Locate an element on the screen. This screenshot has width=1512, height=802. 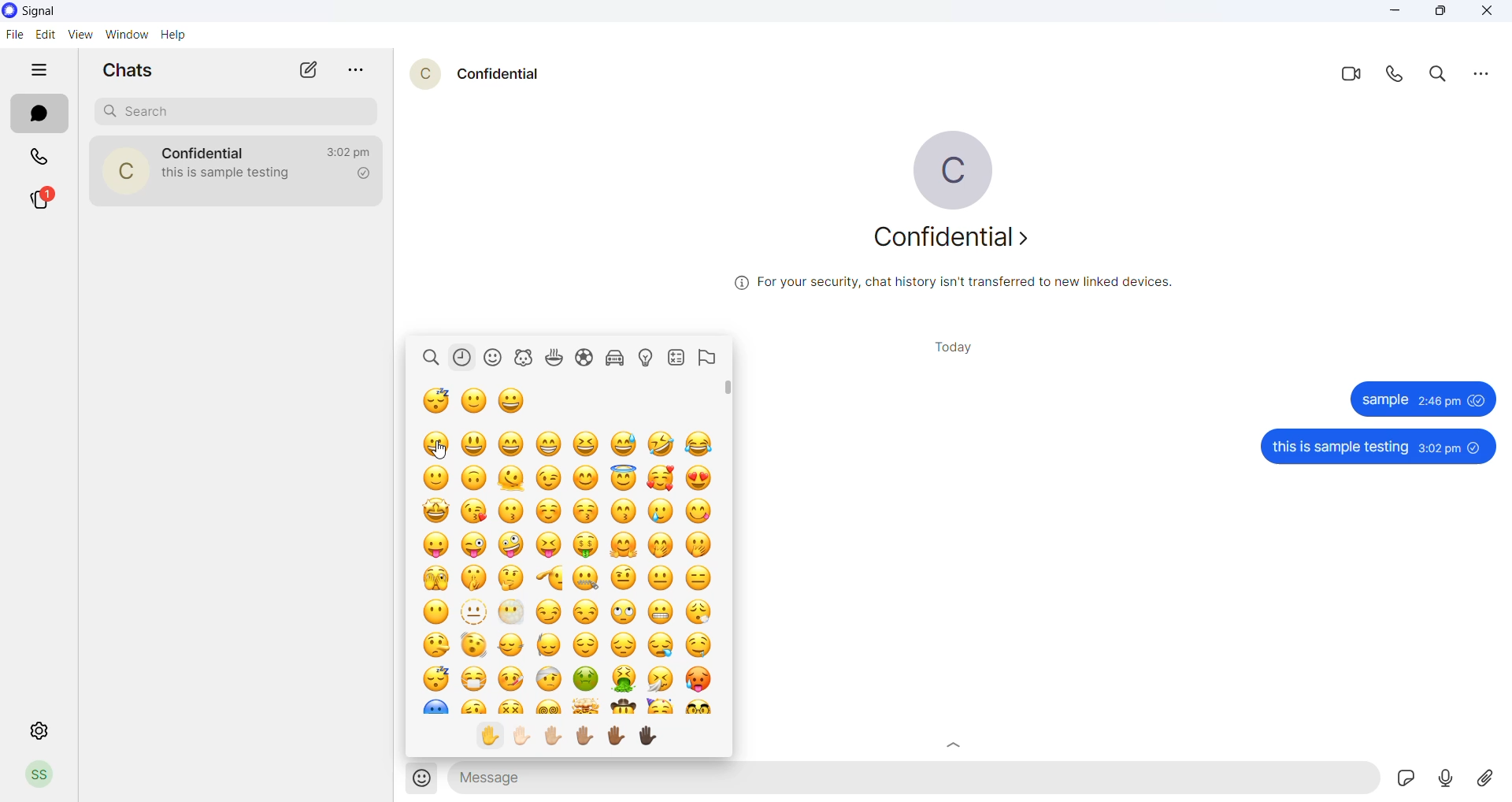
food related emojis is located at coordinates (555, 358).